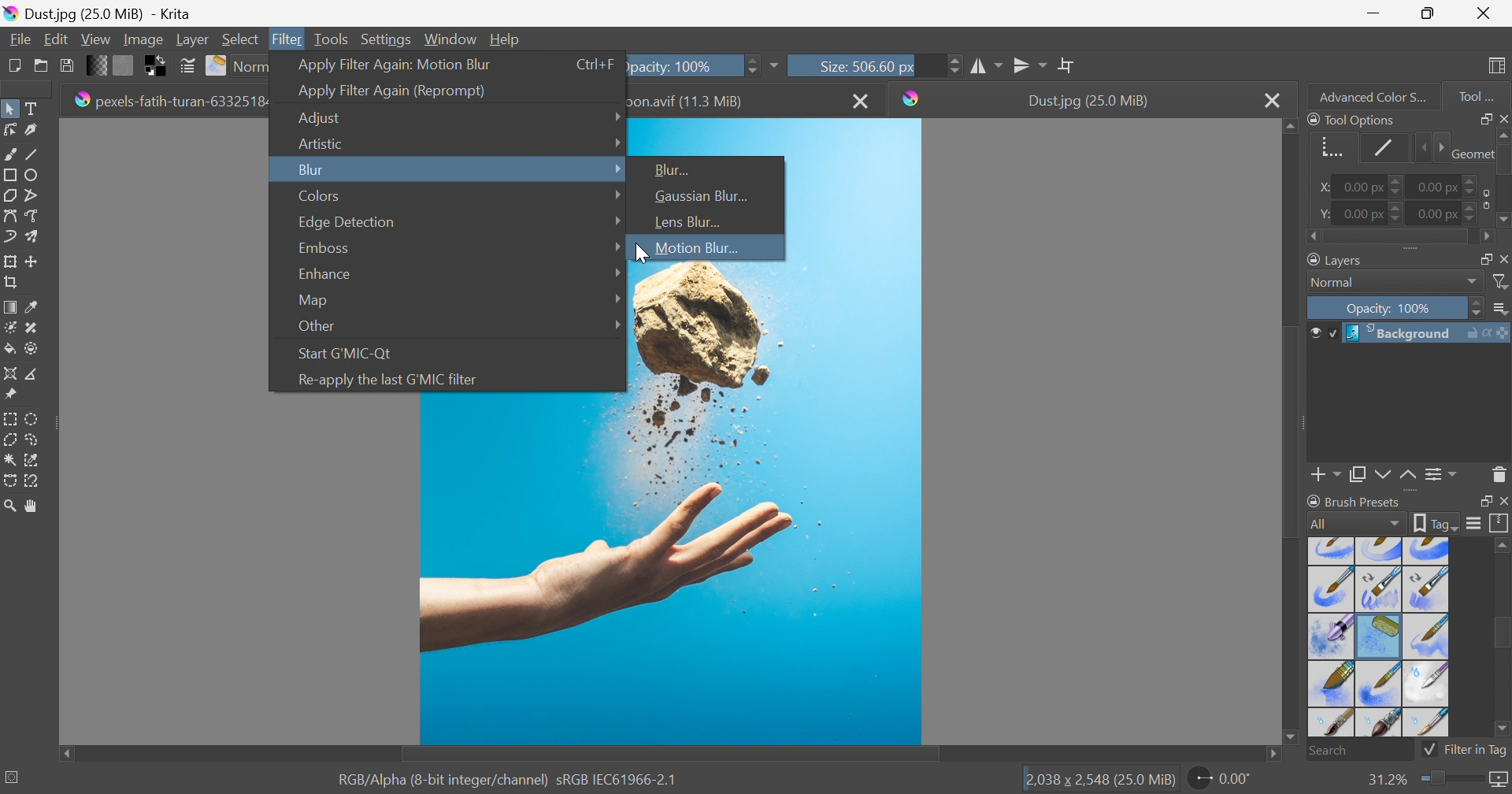 The width and height of the screenshot is (1512, 794). I want to click on 0.00 px, so click(1439, 185).